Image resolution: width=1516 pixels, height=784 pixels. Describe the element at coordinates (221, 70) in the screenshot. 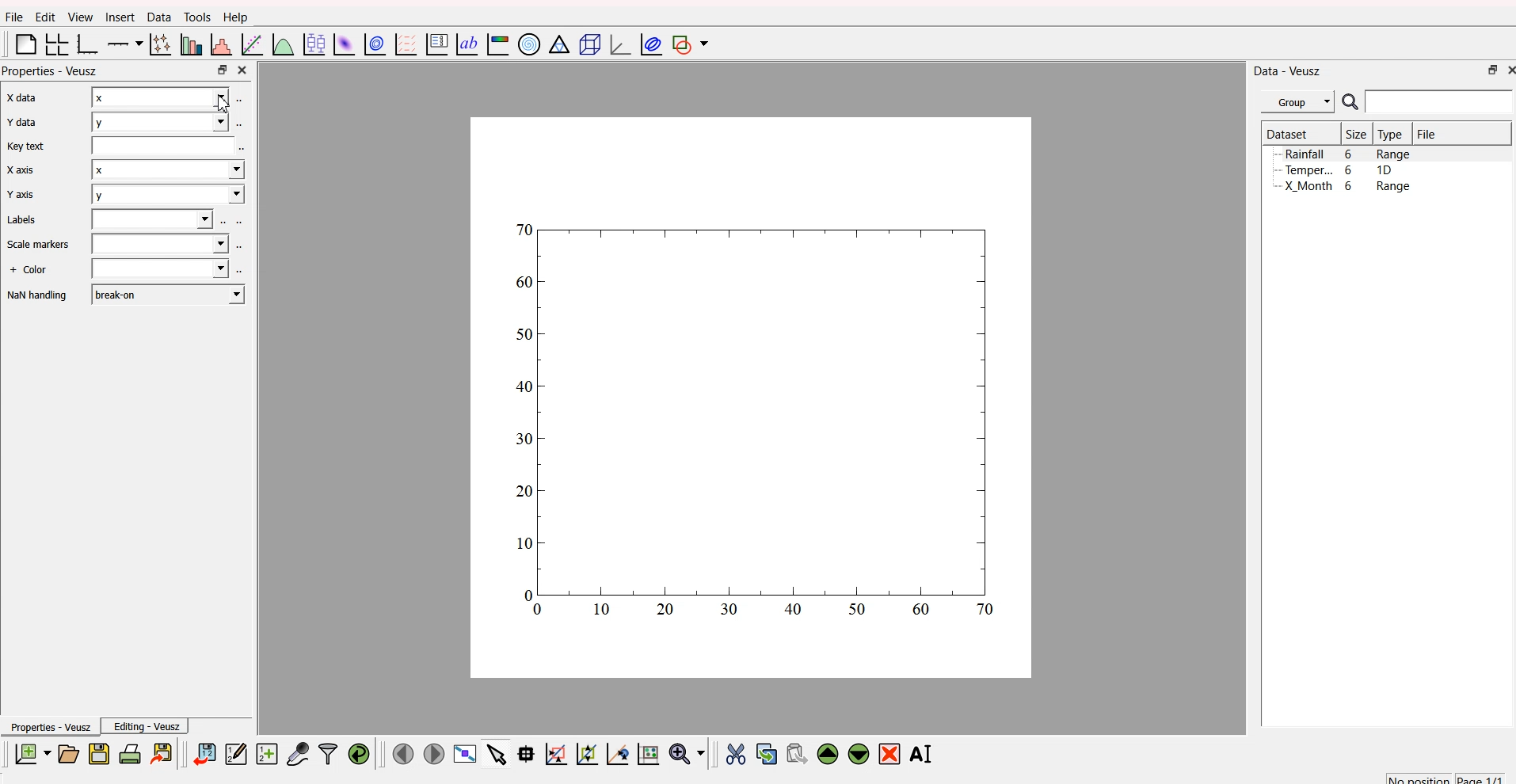

I see `maximize` at that location.